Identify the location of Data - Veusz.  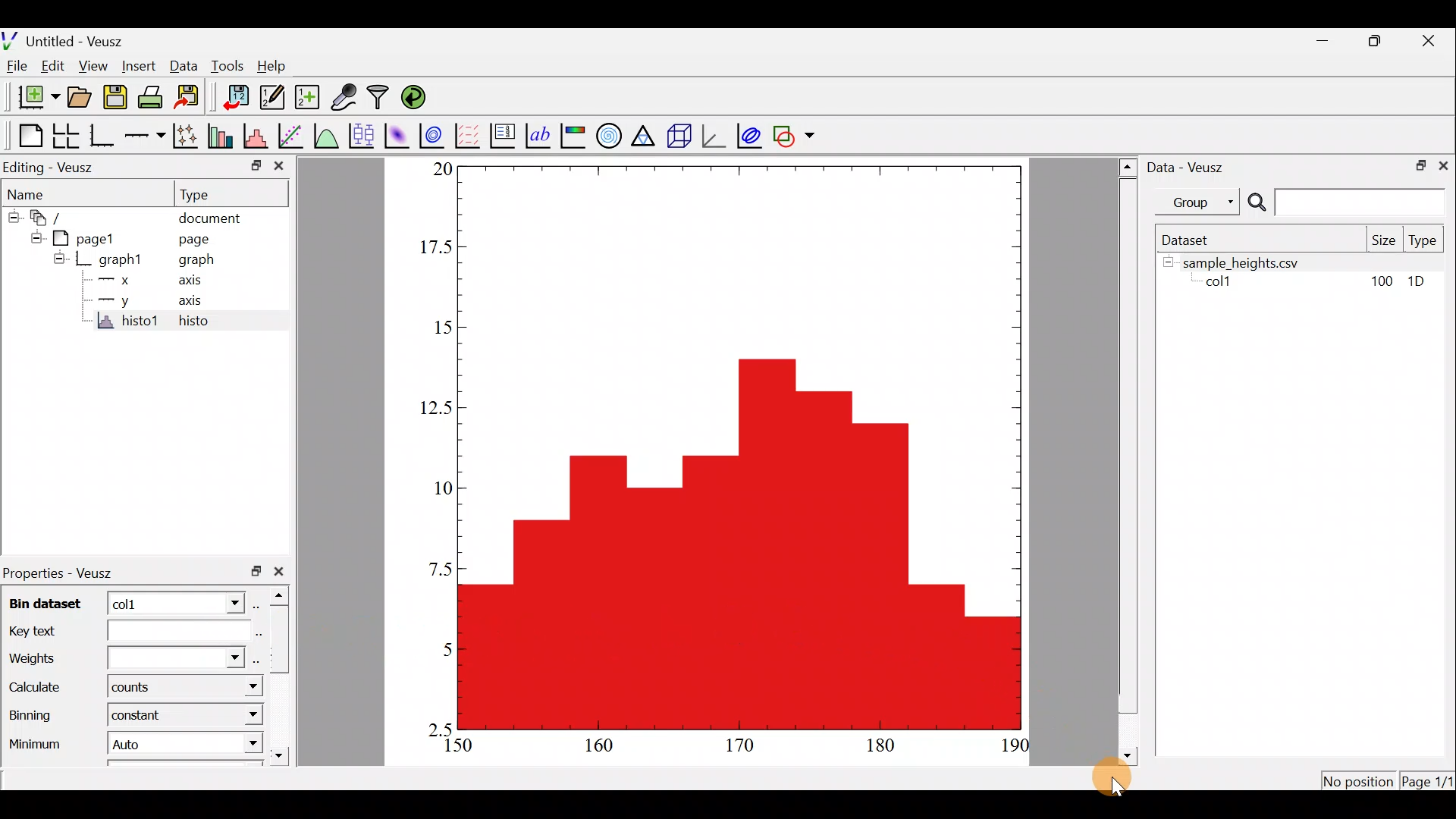
(1191, 168).